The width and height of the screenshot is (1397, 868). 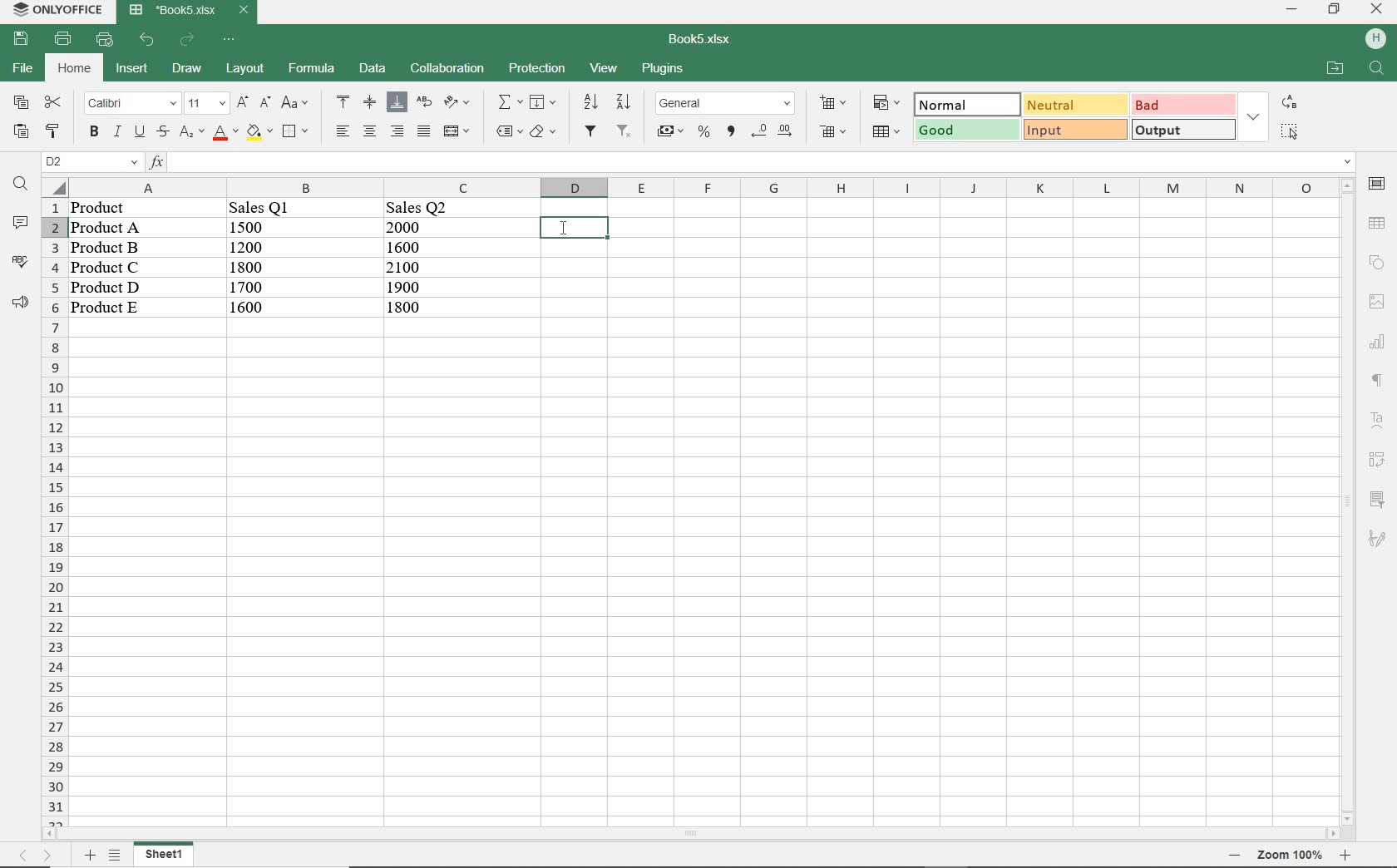 I want to click on align middle, so click(x=370, y=104).